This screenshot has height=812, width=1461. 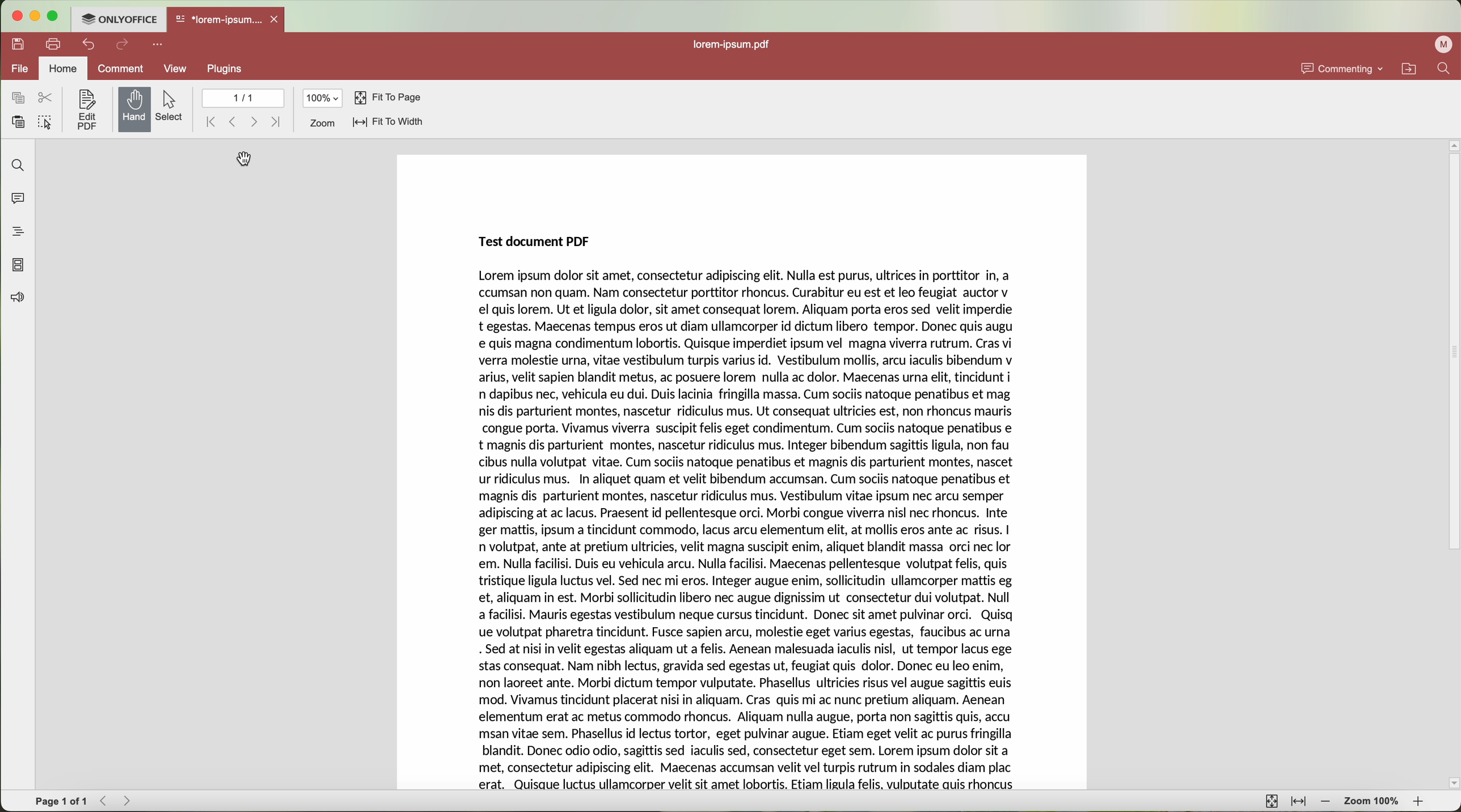 What do you see at coordinates (324, 98) in the screenshot?
I see `100%` at bounding box center [324, 98].